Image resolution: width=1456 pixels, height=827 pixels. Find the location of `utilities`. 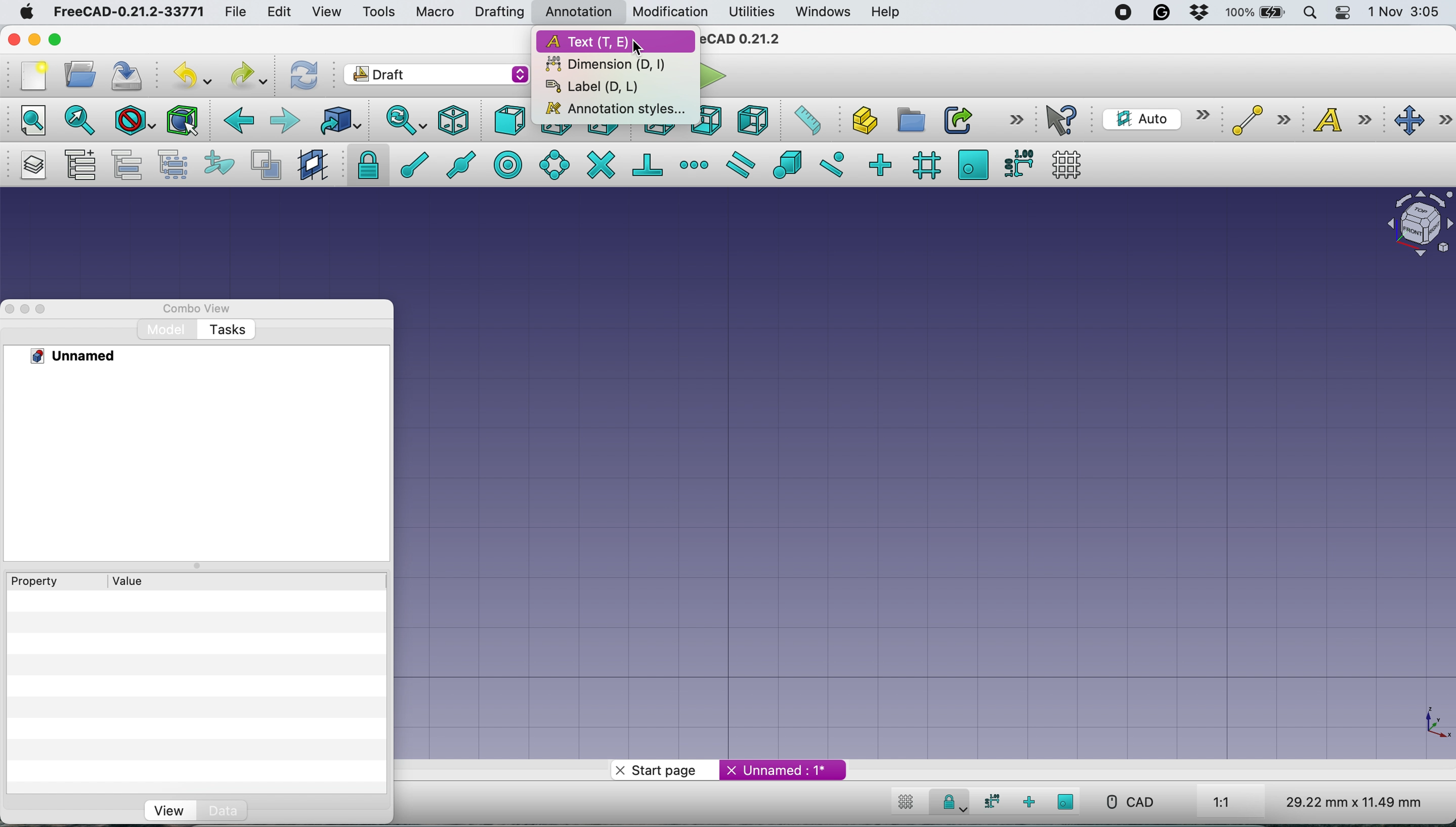

utilities is located at coordinates (751, 13).